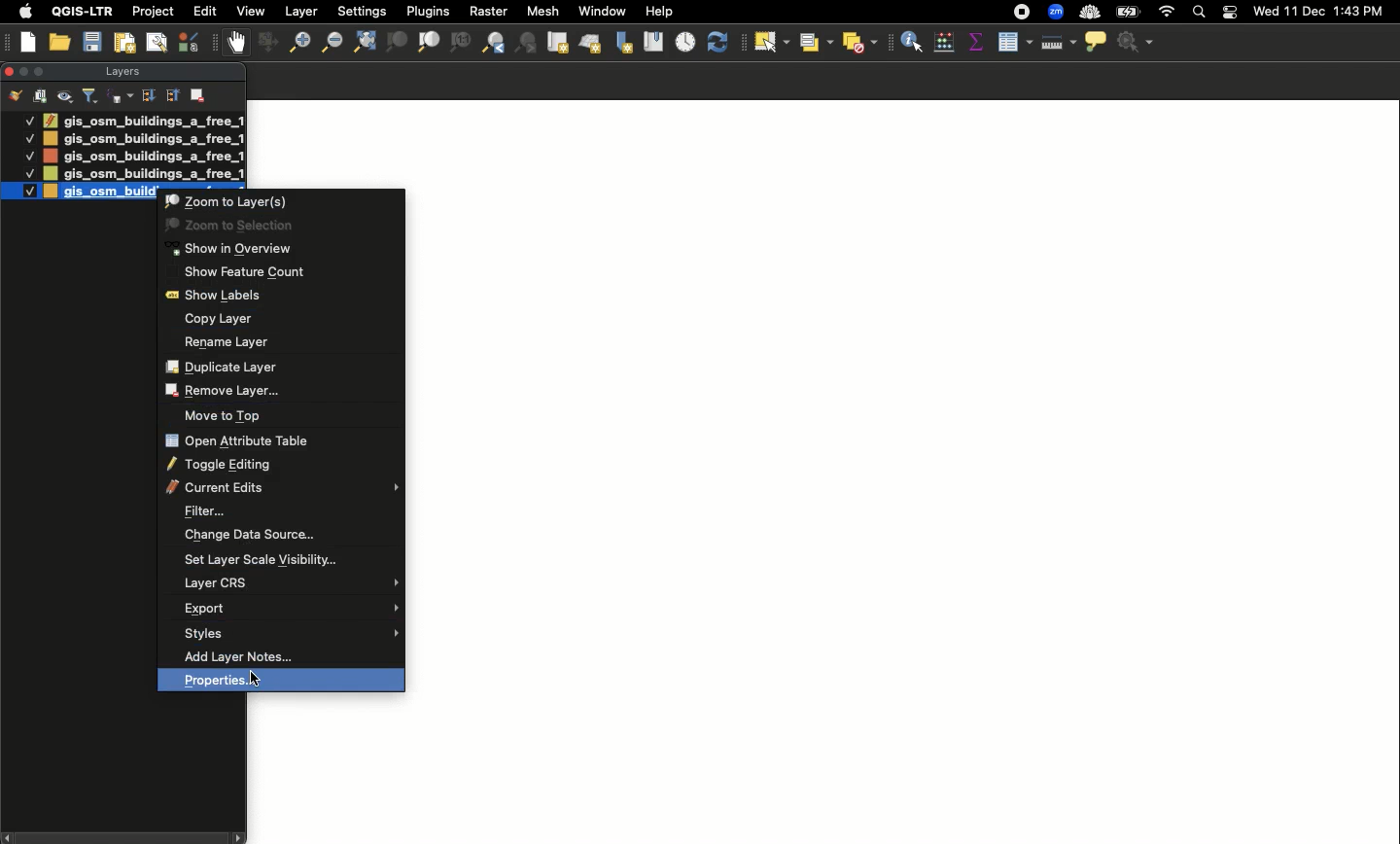  Describe the element at coordinates (284, 249) in the screenshot. I see `Show in overview` at that location.